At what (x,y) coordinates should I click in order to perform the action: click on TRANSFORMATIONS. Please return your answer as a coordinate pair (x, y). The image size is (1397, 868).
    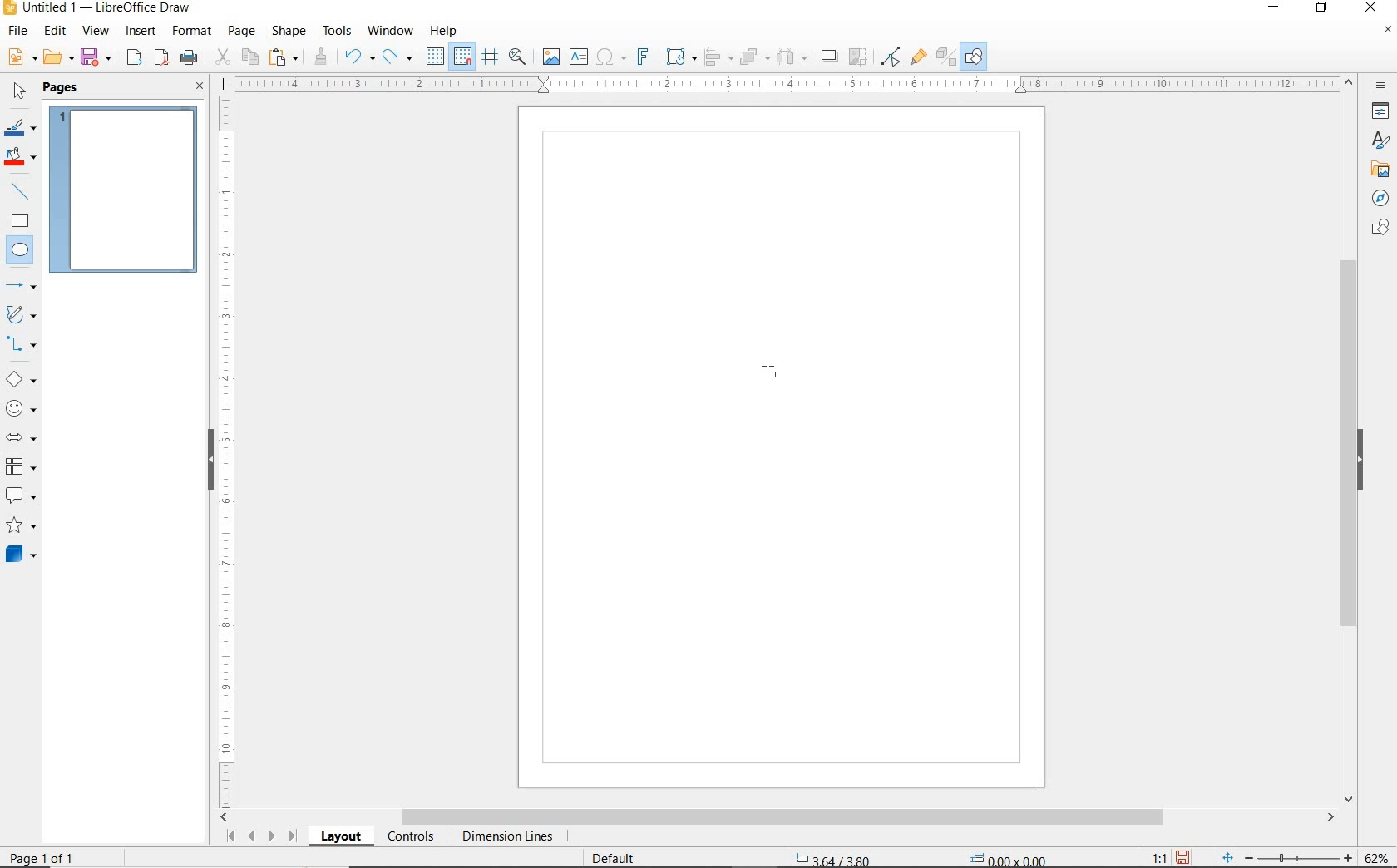
    Looking at the image, I should click on (679, 57).